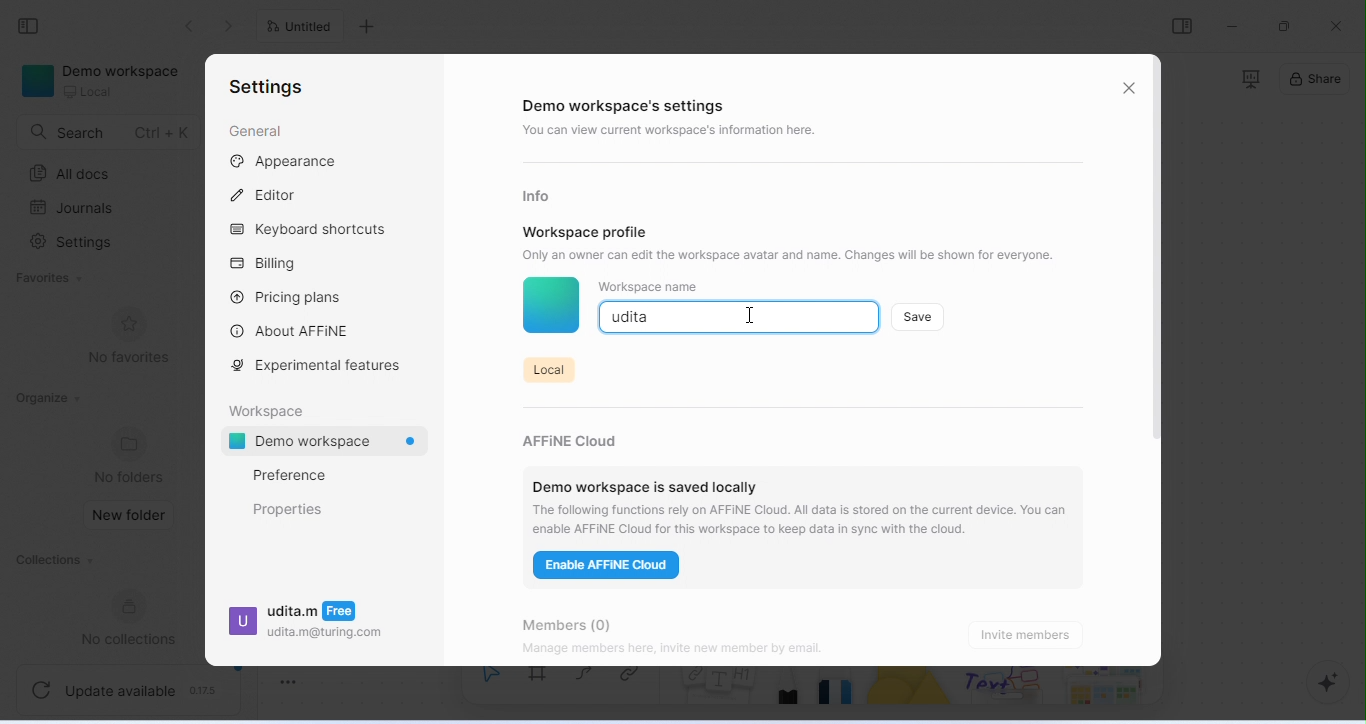  I want to click on demo workspace, so click(330, 443).